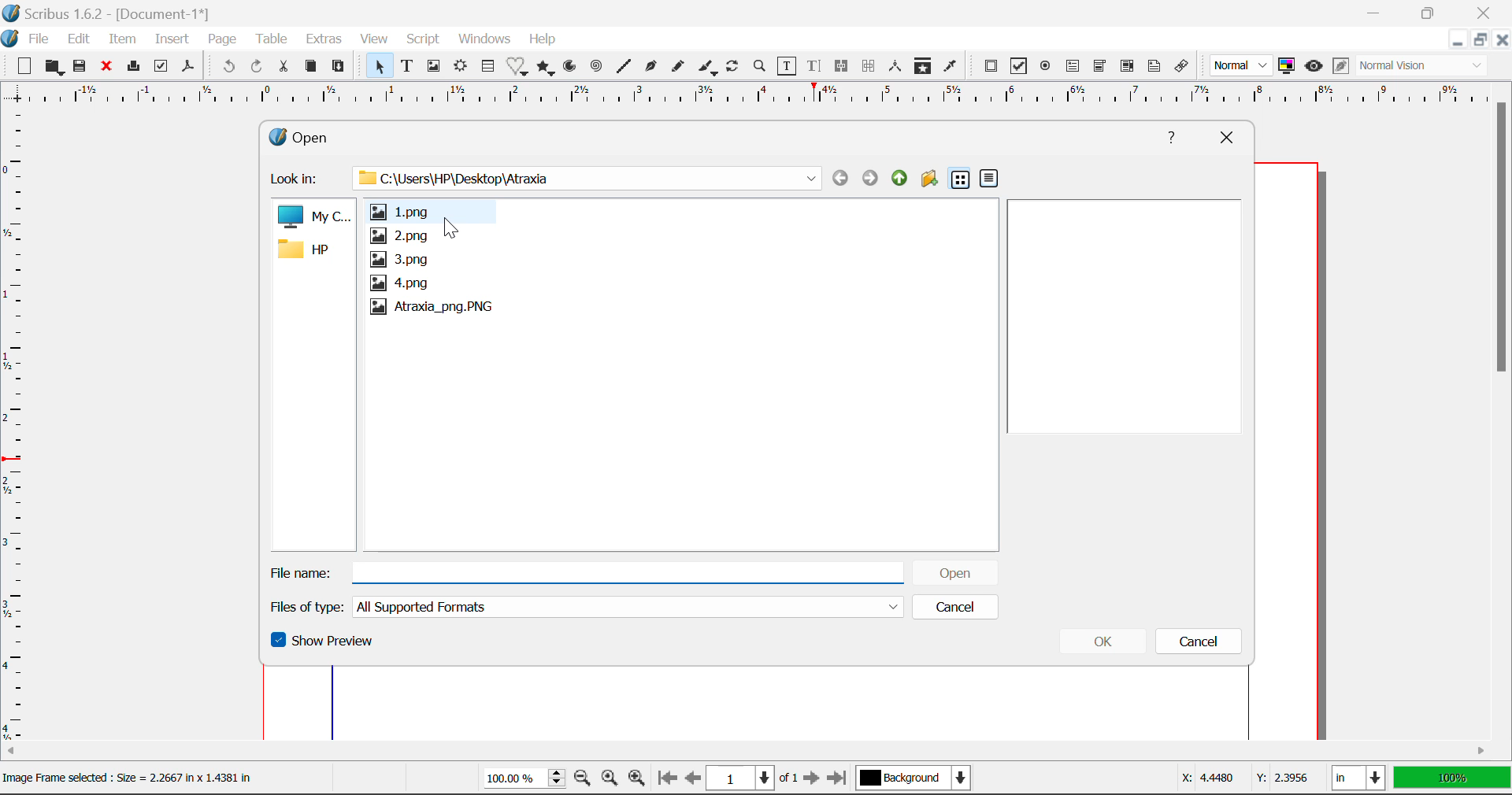  Describe the element at coordinates (136, 67) in the screenshot. I see `Print` at that location.